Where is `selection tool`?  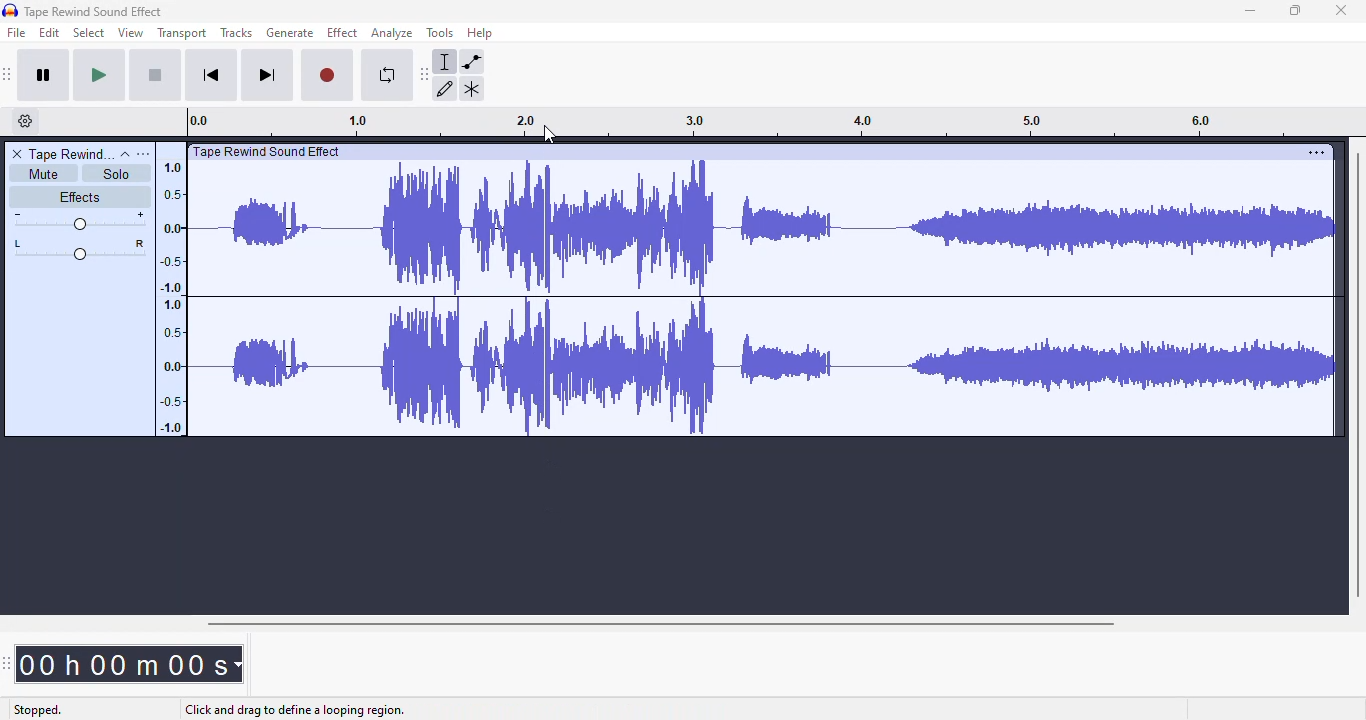 selection tool is located at coordinates (448, 61).